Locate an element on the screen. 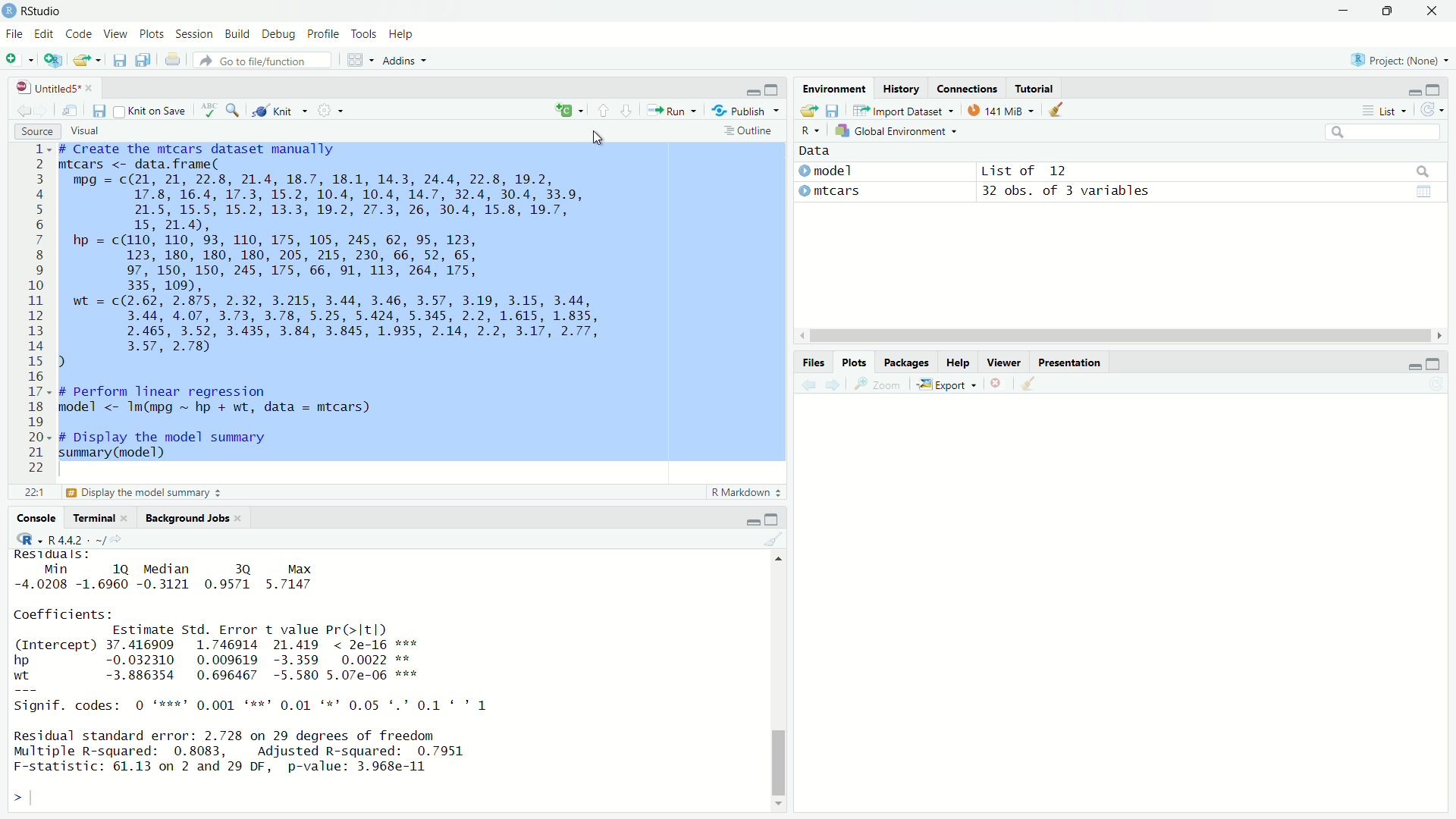 The image size is (1456, 819). go to previous section is located at coordinates (602, 110).